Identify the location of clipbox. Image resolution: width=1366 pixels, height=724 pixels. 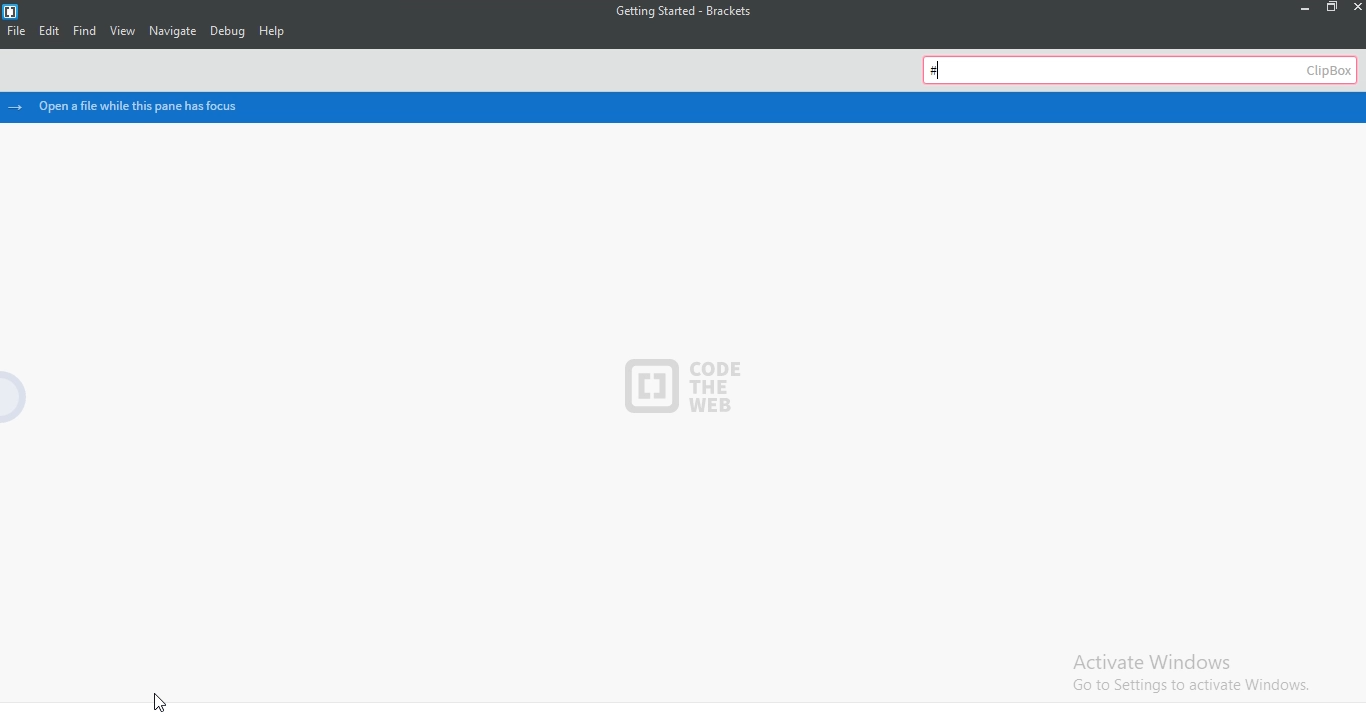
(1144, 72).